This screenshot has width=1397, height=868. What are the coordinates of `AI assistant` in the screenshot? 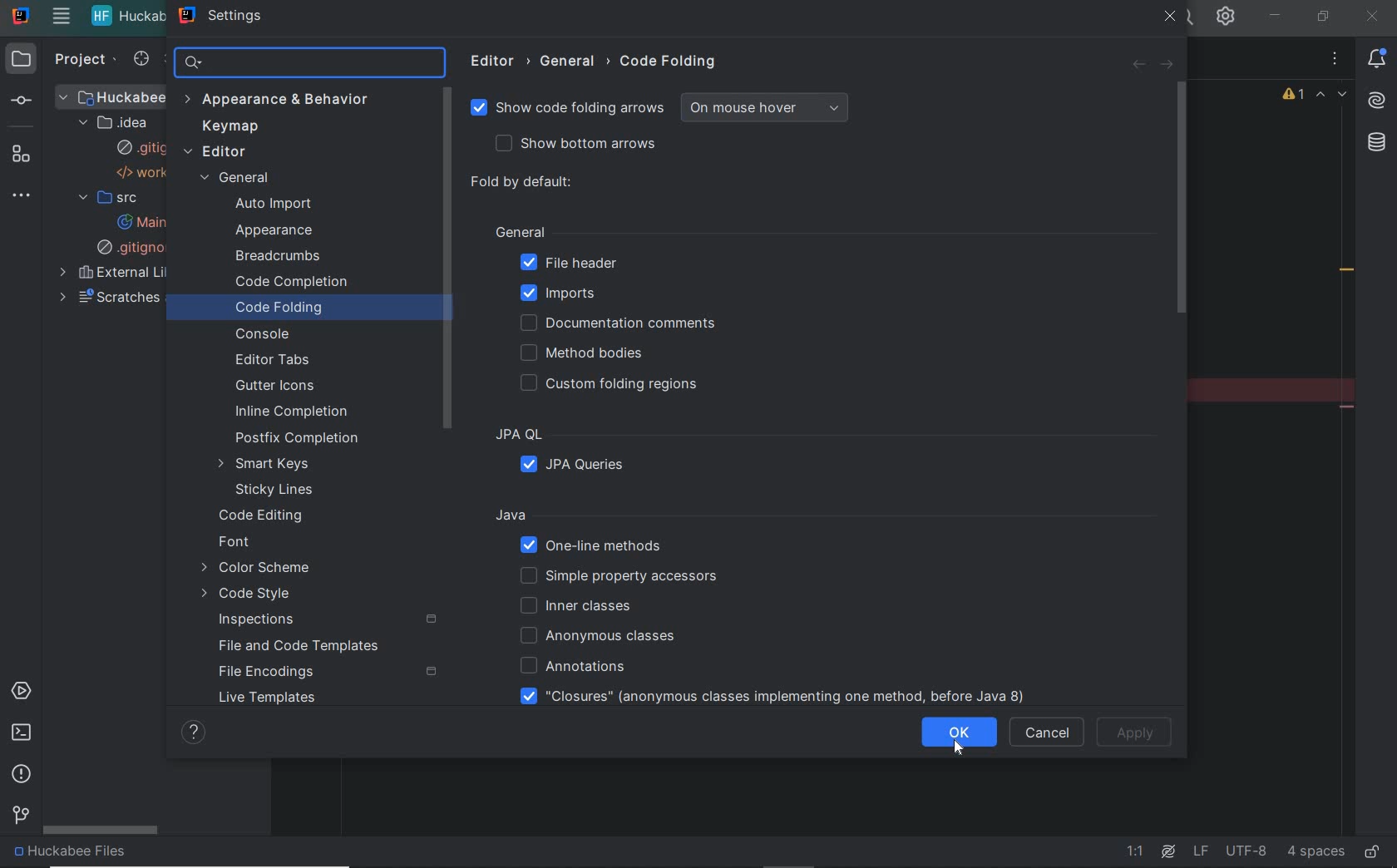 It's located at (1380, 98).